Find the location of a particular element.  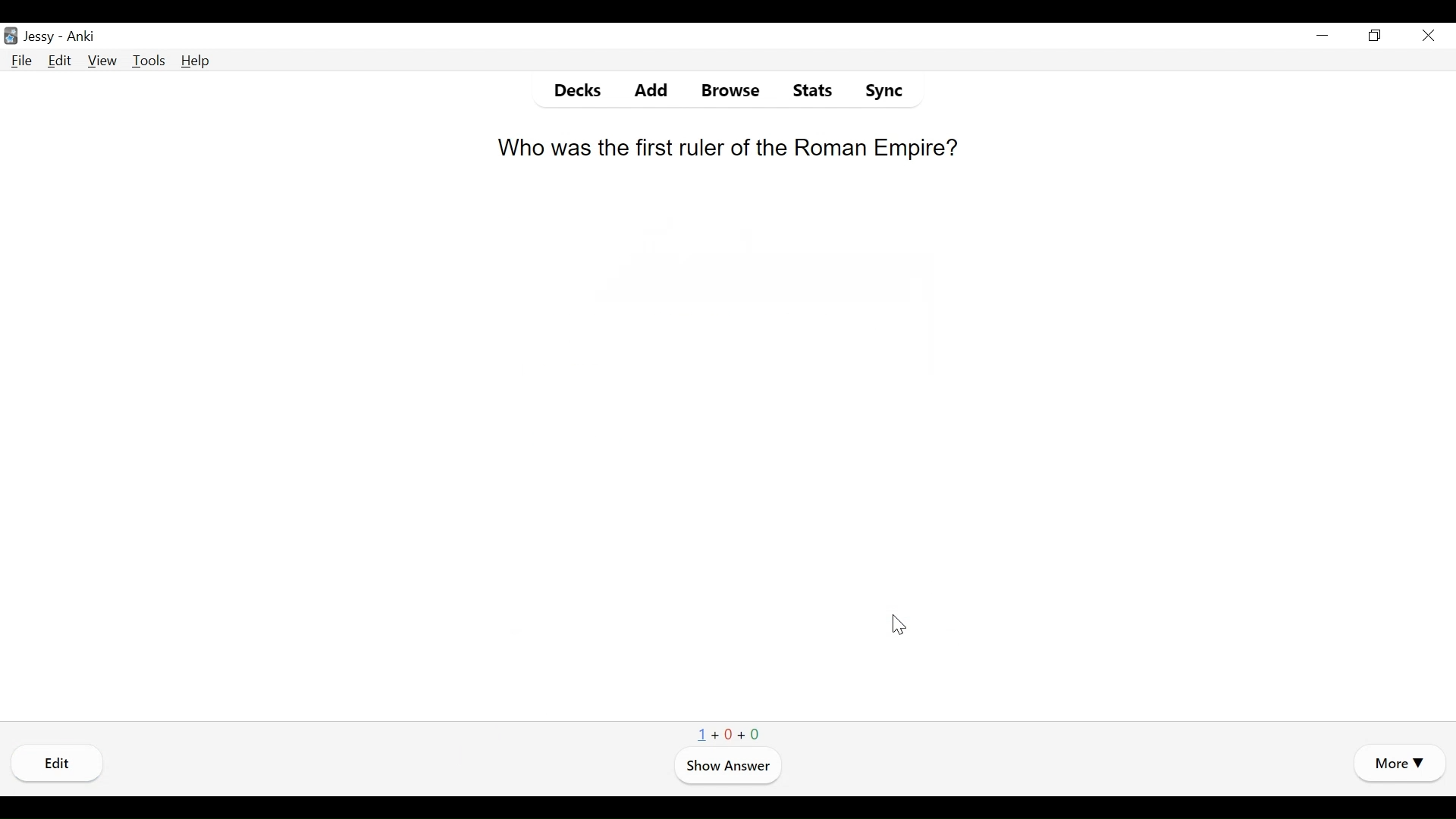

Add is located at coordinates (641, 90).